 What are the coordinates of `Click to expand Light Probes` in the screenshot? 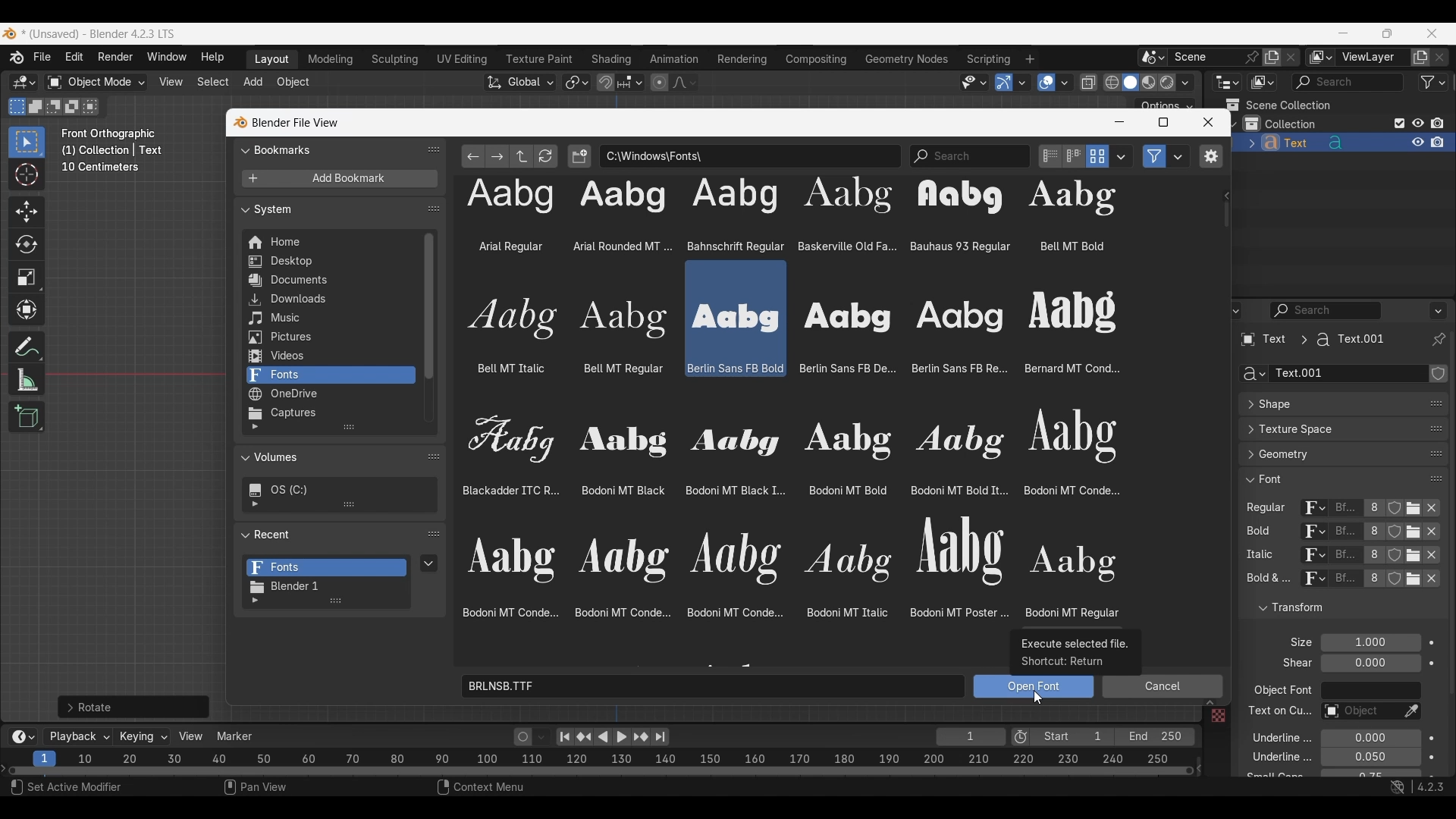 It's located at (1291, 642).